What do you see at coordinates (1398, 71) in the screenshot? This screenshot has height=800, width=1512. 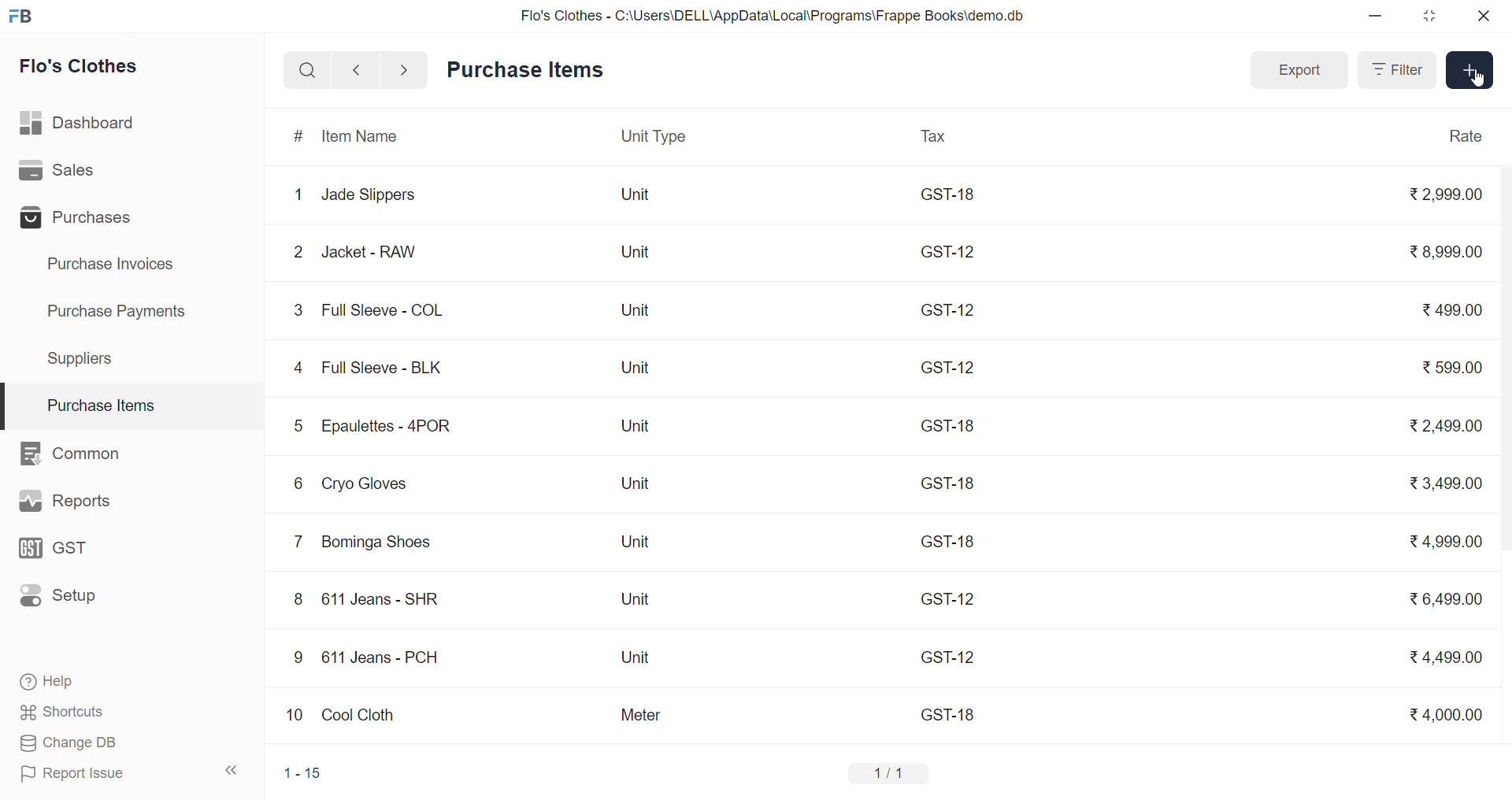 I see `Filter` at bounding box center [1398, 71].